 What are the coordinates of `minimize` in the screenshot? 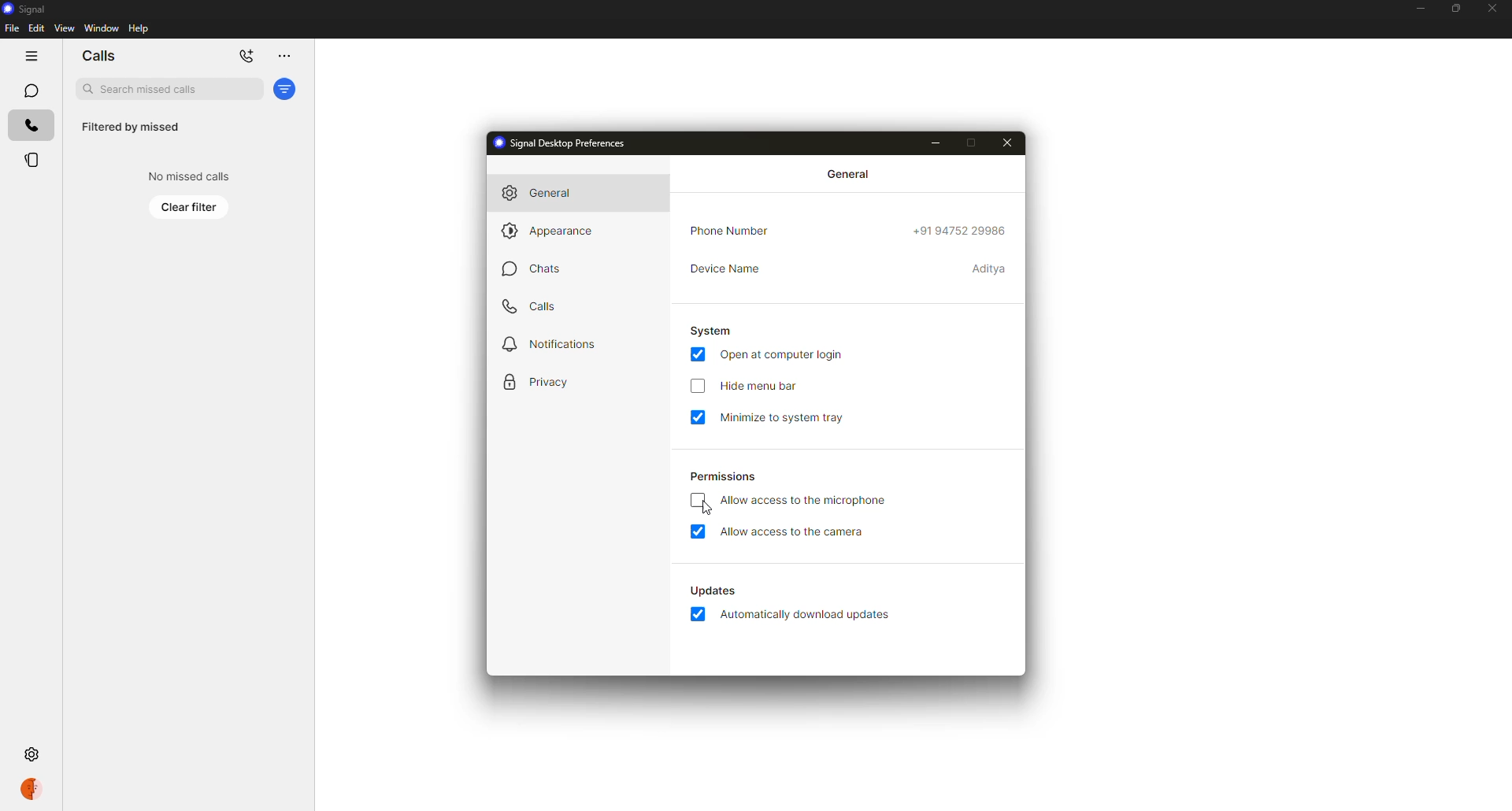 It's located at (932, 142).